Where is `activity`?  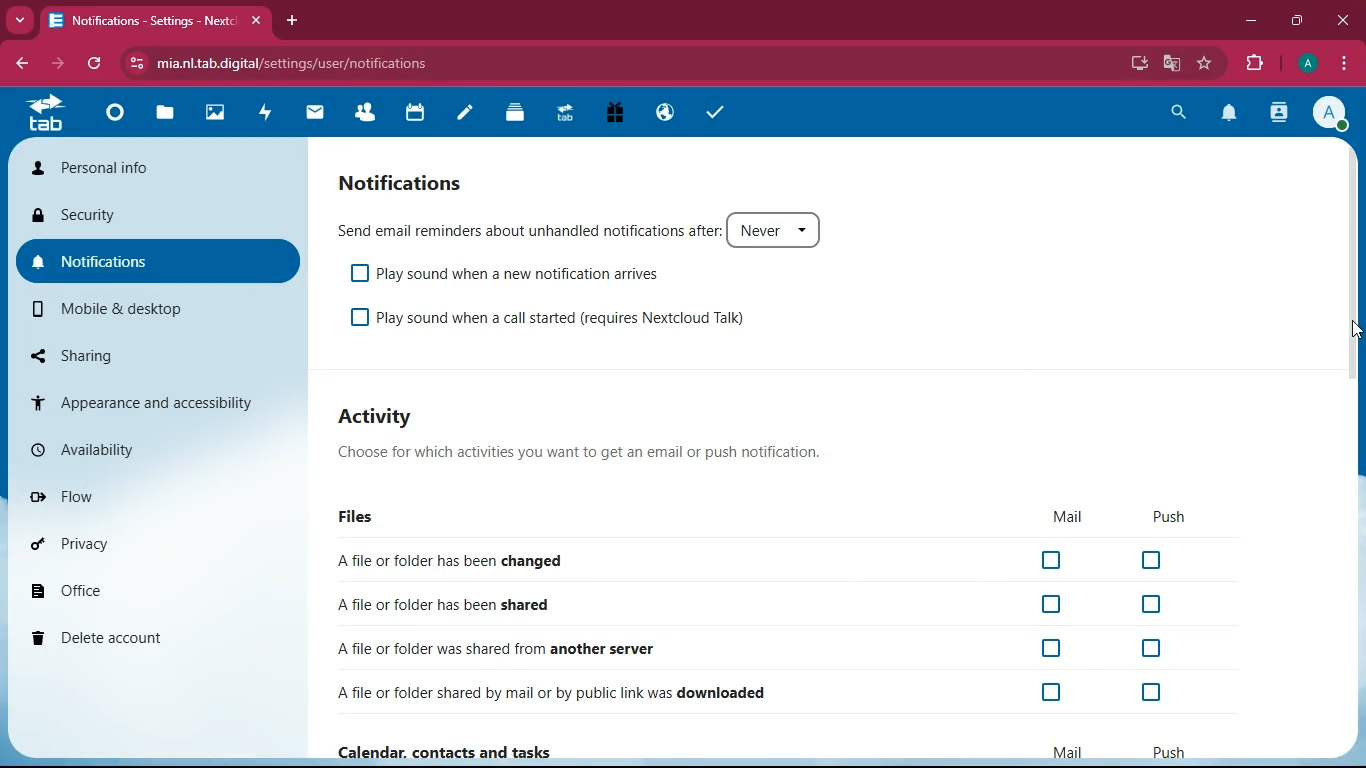
activity is located at coordinates (385, 415).